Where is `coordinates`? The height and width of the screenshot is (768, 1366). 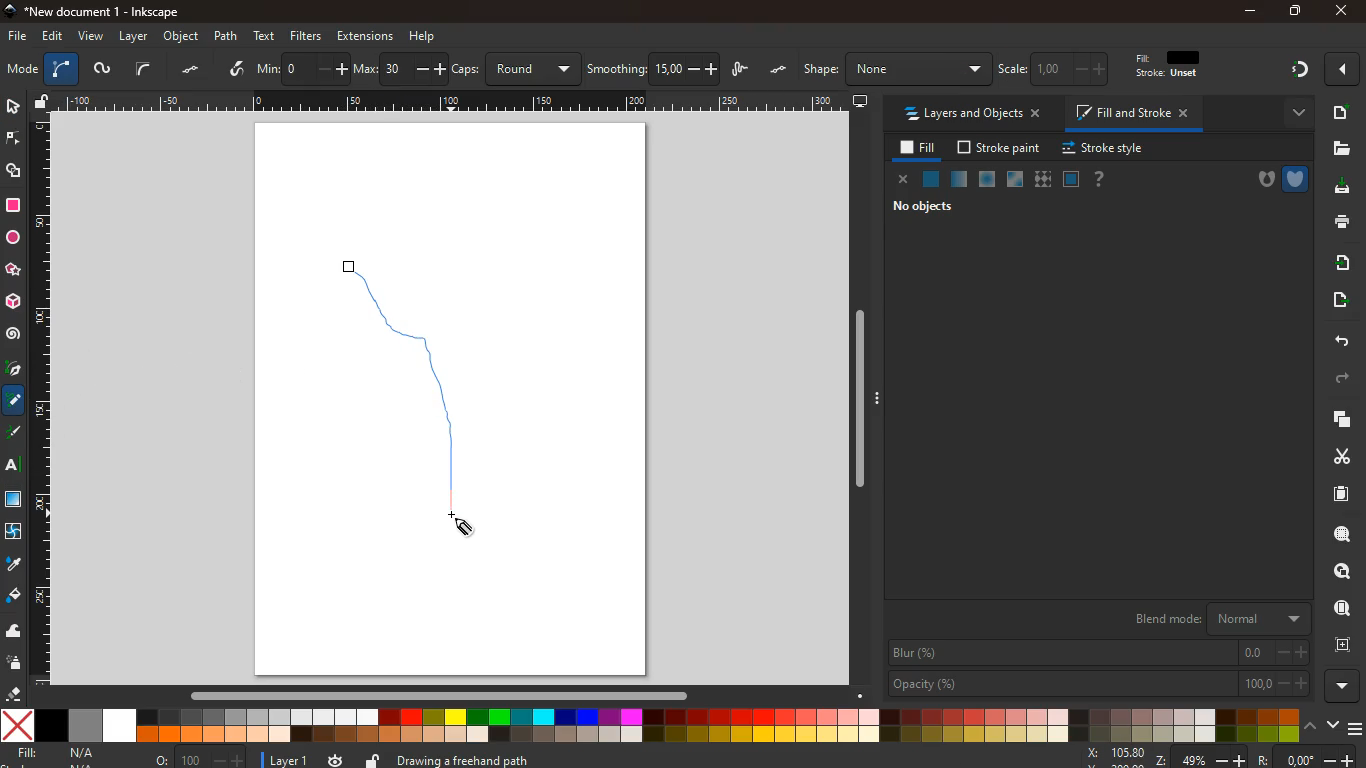
coordinates is located at coordinates (1218, 757).